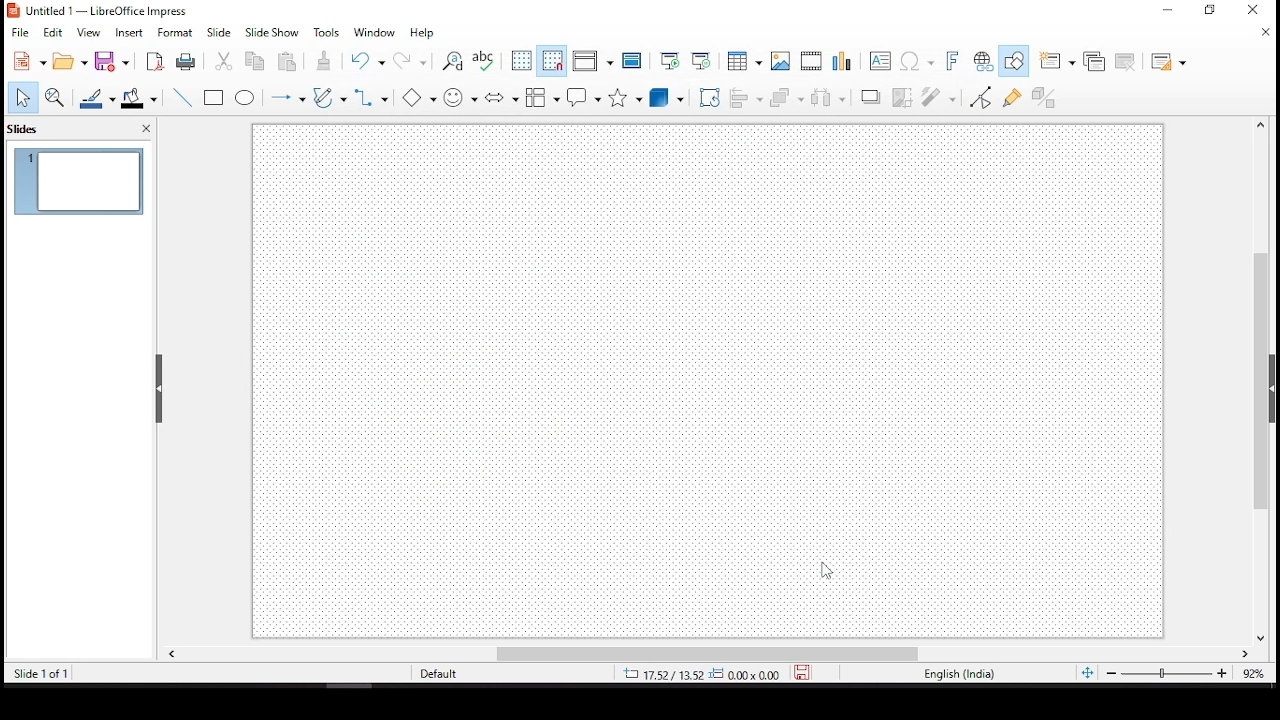 The width and height of the screenshot is (1280, 720). What do you see at coordinates (27, 130) in the screenshot?
I see `slides` at bounding box center [27, 130].